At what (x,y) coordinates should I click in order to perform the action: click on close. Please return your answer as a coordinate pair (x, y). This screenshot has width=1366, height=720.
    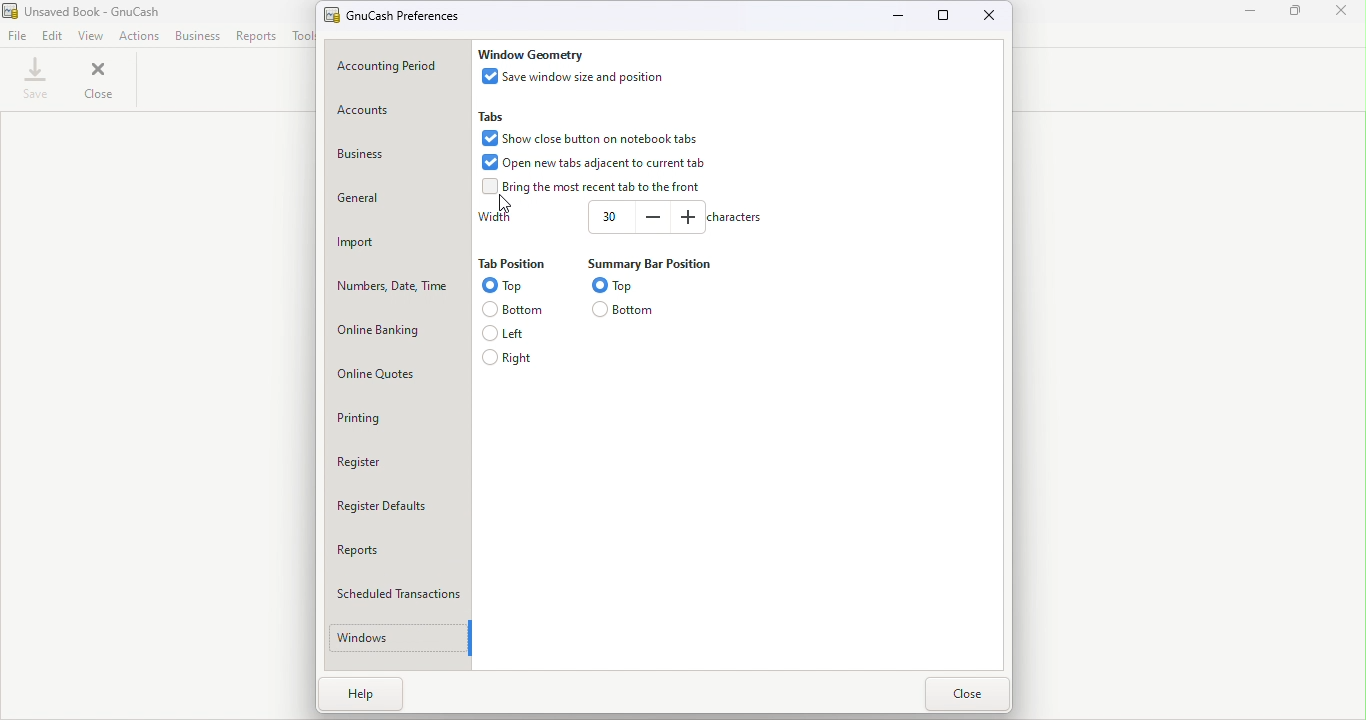
    Looking at the image, I should click on (102, 78).